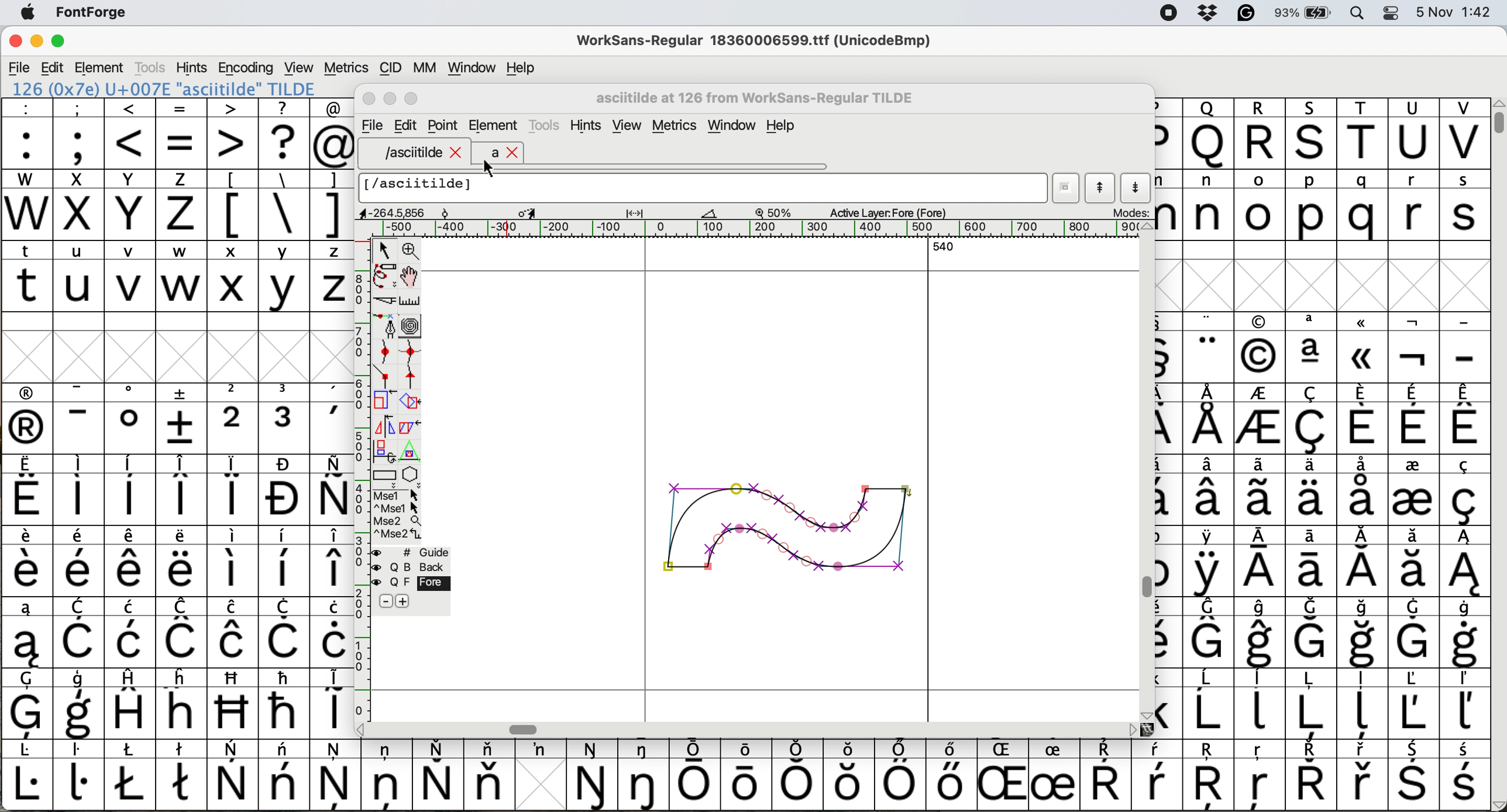 This screenshot has width=1507, height=812. Describe the element at coordinates (232, 632) in the screenshot. I see `symbol` at that location.